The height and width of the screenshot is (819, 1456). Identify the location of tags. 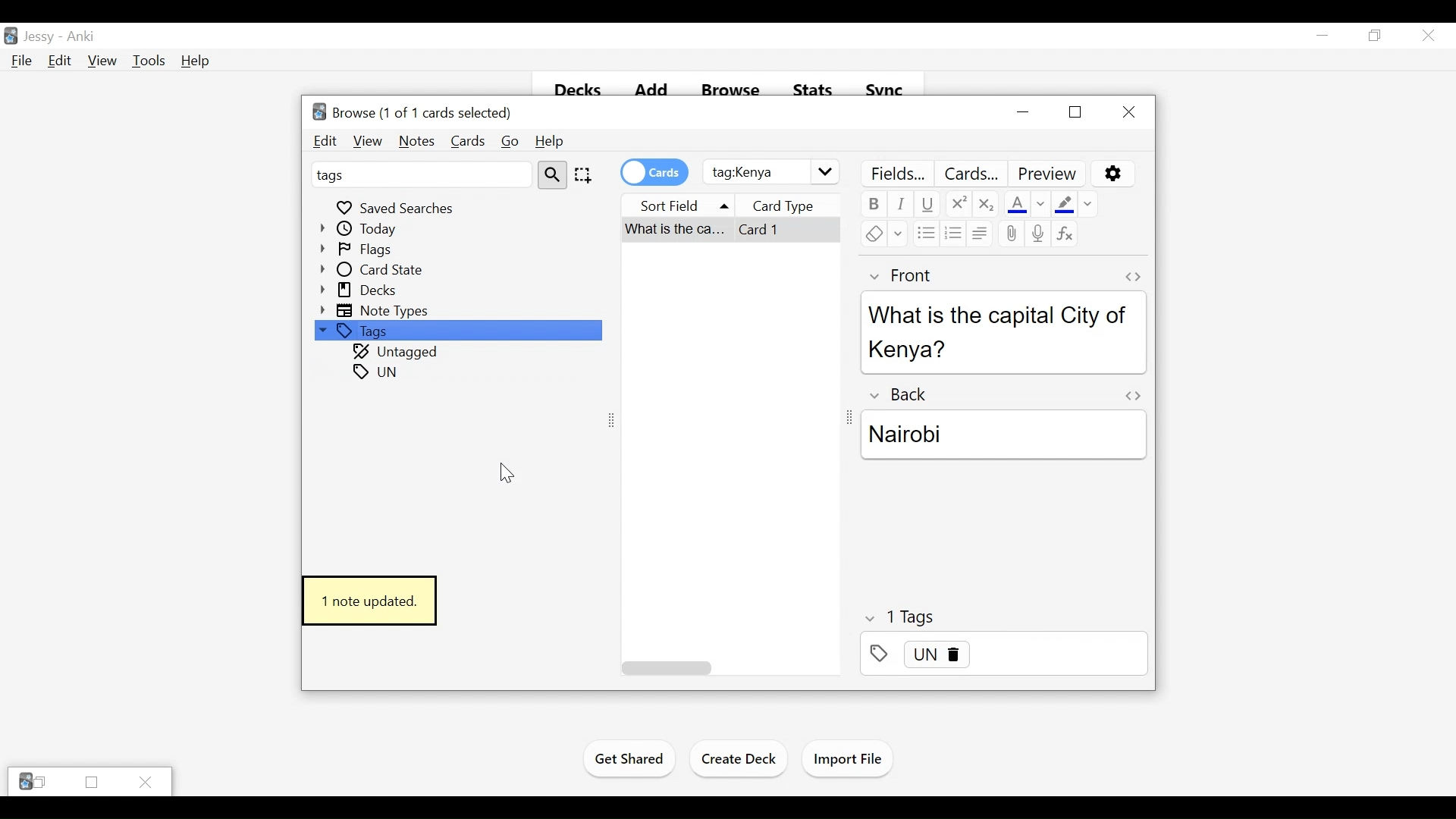
(376, 371).